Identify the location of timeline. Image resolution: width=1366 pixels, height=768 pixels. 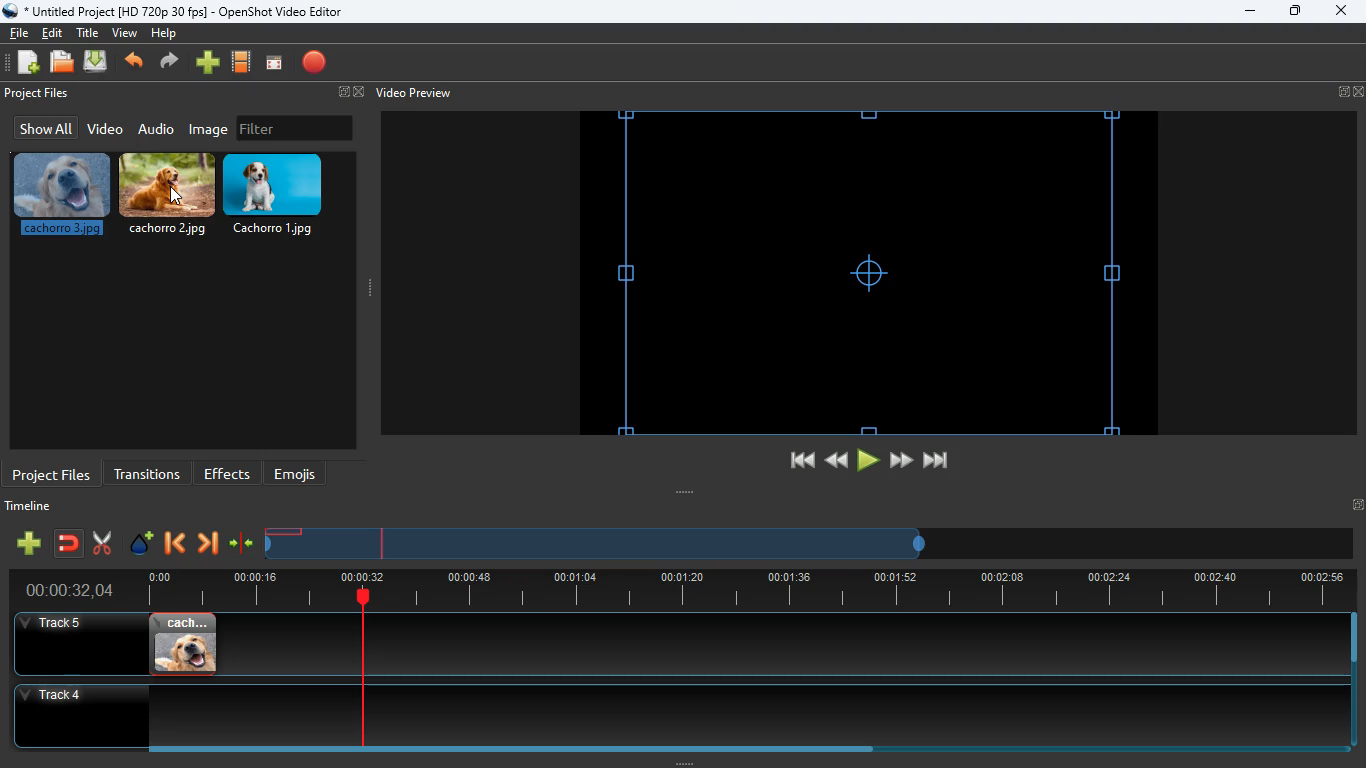
(740, 590).